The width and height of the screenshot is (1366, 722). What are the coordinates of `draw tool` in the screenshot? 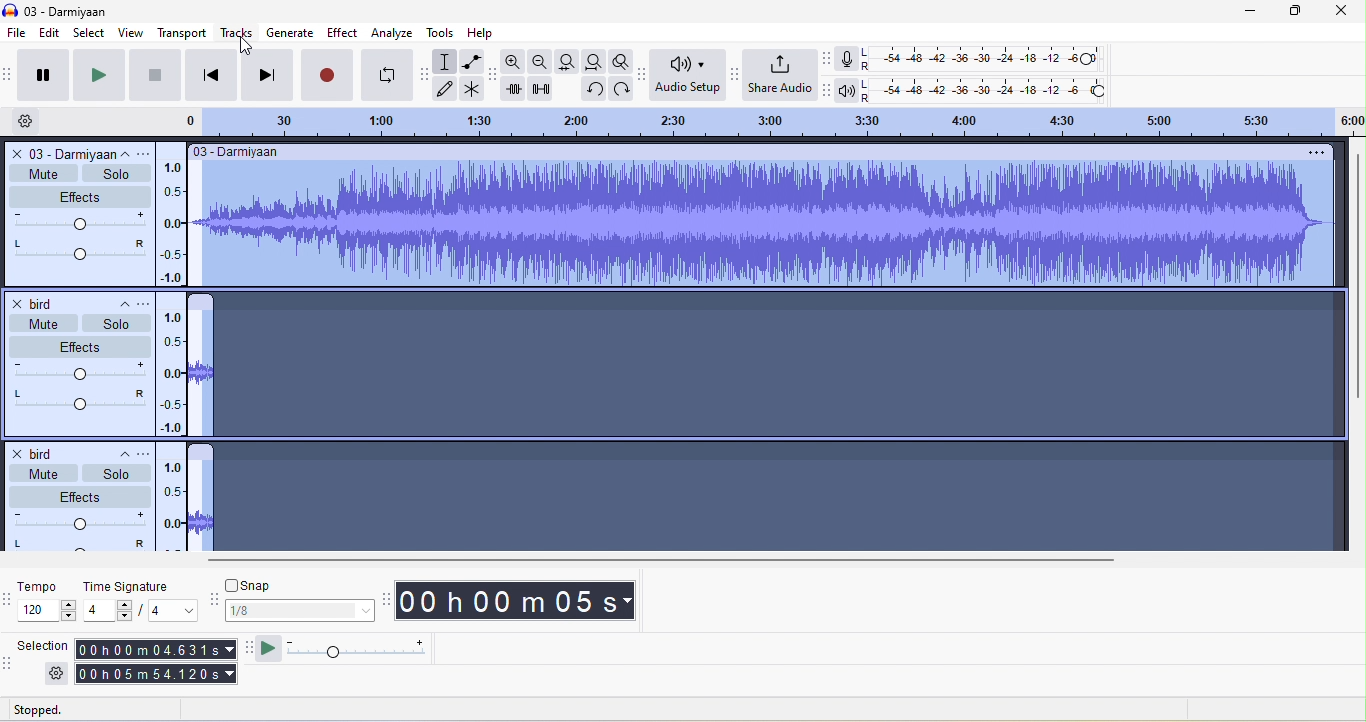 It's located at (446, 90).